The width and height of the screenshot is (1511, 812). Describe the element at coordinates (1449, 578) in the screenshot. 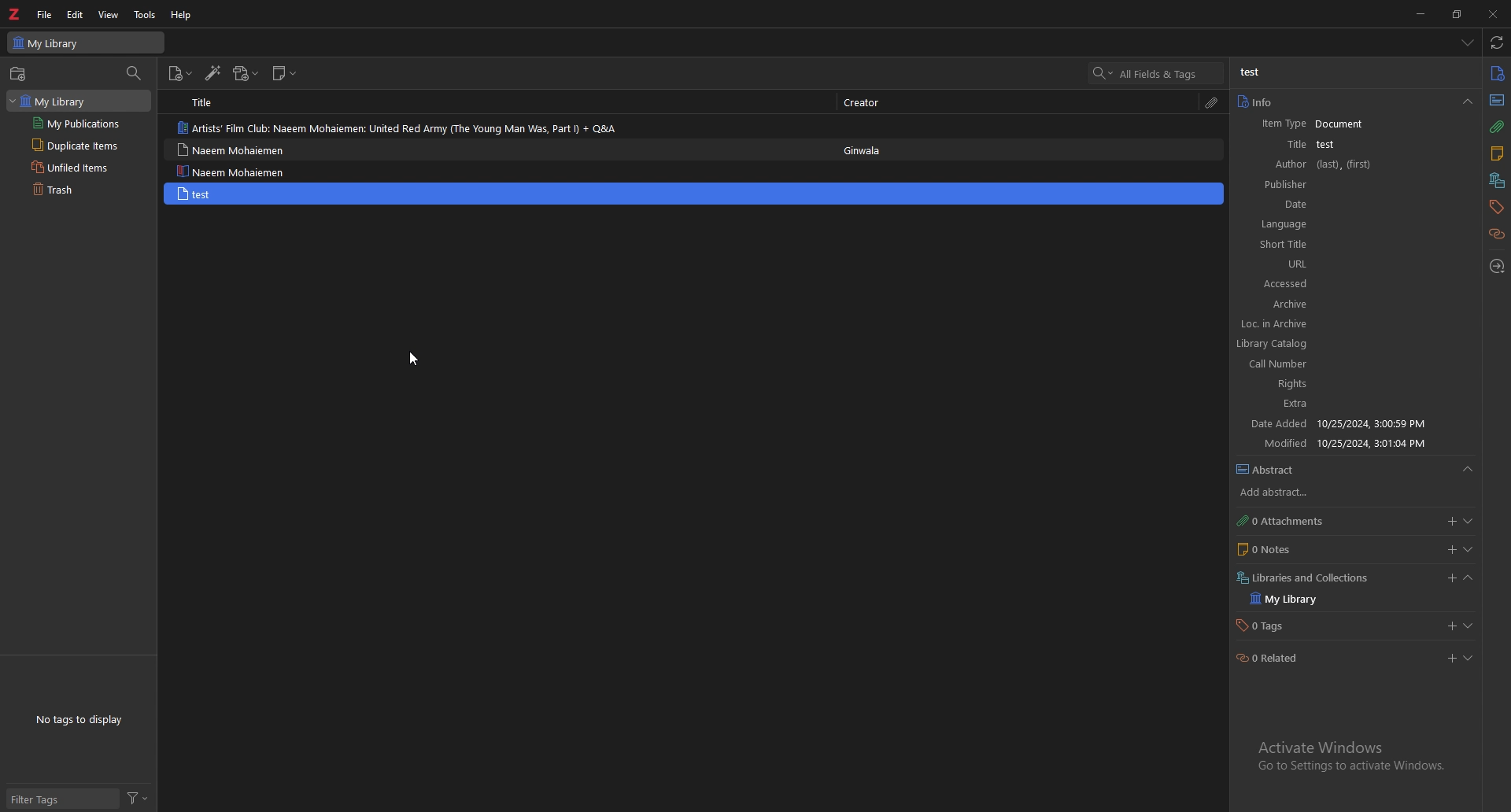

I see `date added input` at that location.